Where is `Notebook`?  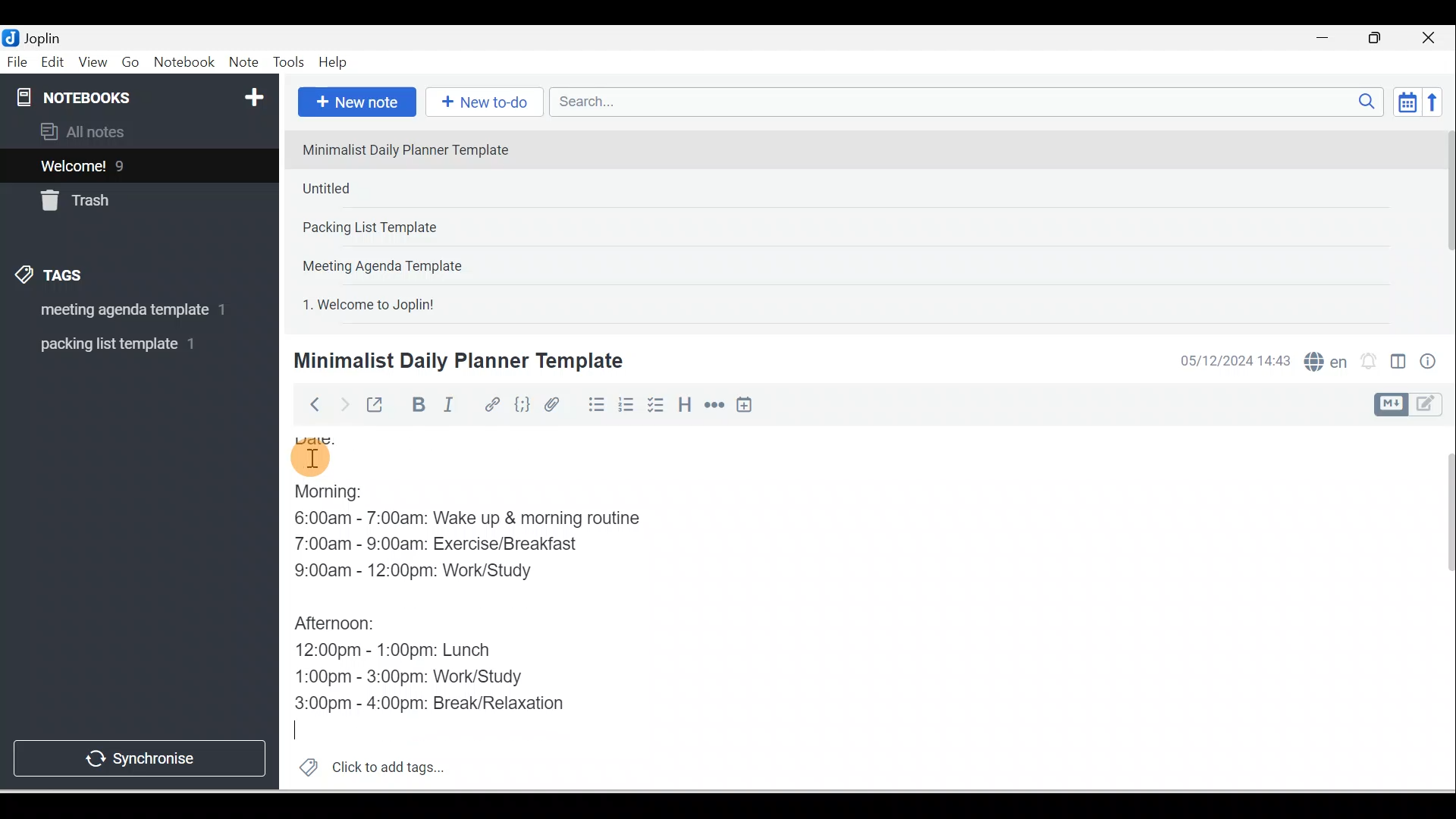
Notebook is located at coordinates (184, 63).